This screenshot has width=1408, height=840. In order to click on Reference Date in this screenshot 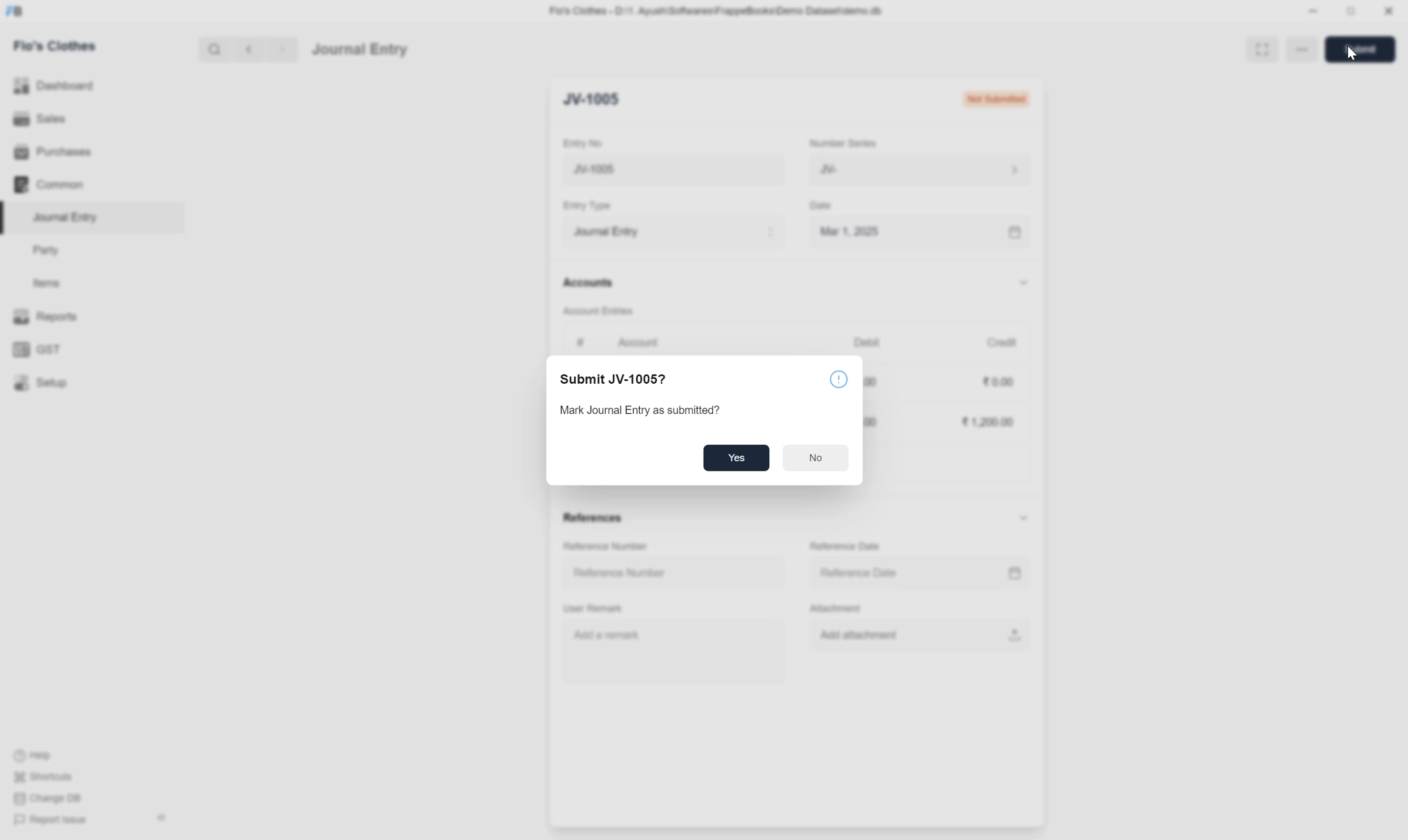, I will do `click(861, 573)`.